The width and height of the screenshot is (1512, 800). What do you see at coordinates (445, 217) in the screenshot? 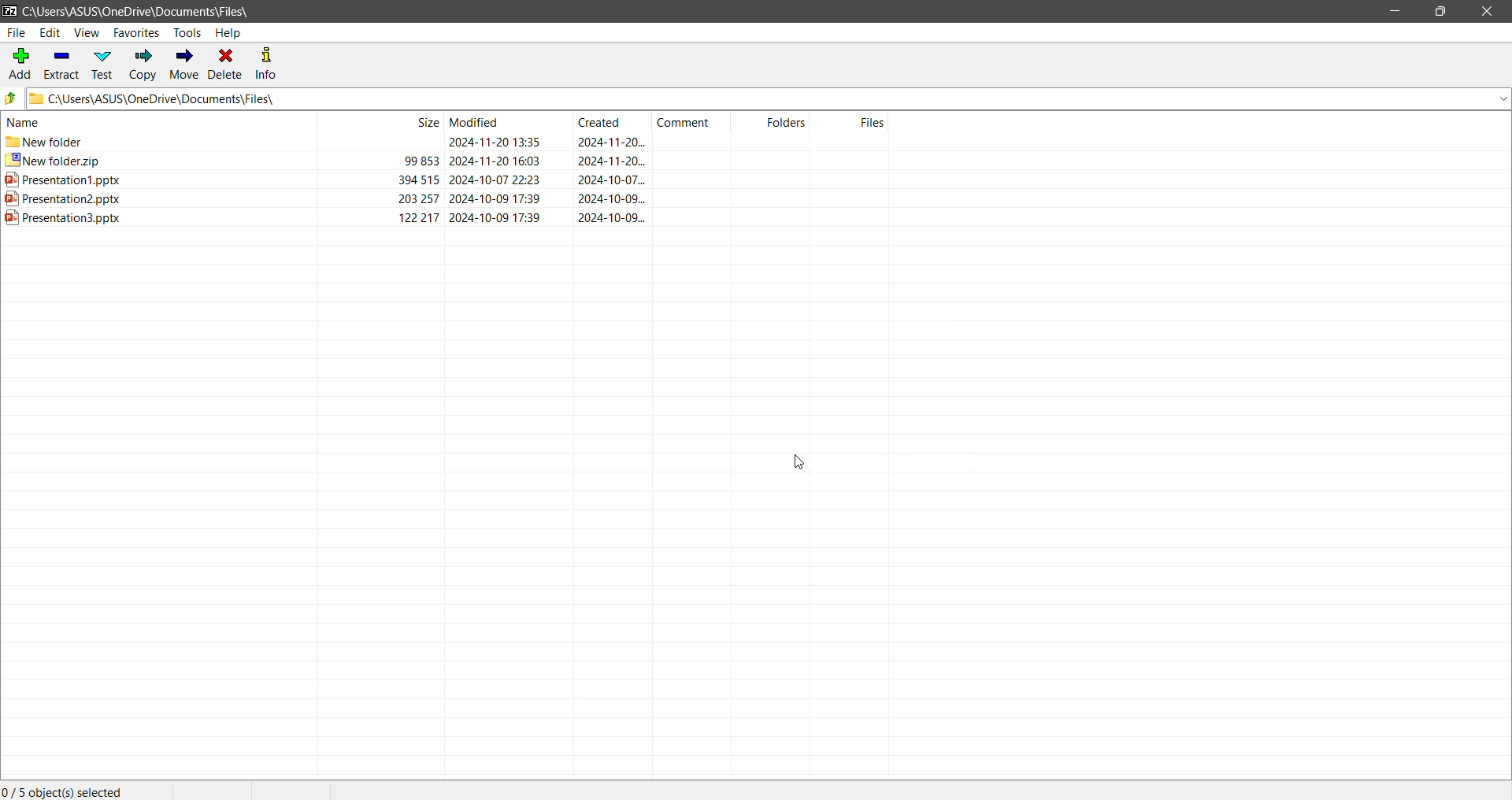
I see `ppt 3` at bounding box center [445, 217].